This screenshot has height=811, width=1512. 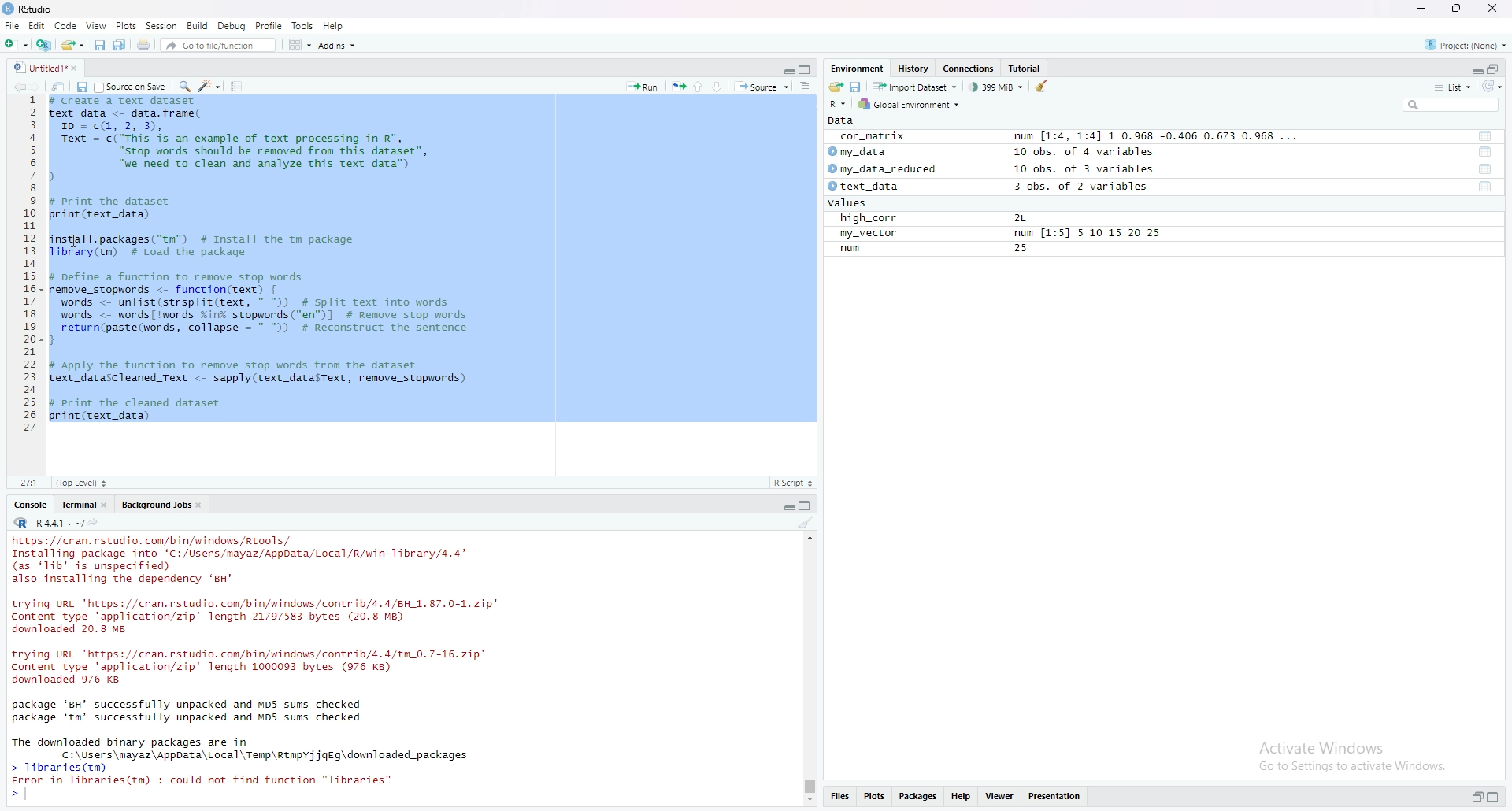 What do you see at coordinates (98, 46) in the screenshot?
I see `save current document` at bounding box center [98, 46].